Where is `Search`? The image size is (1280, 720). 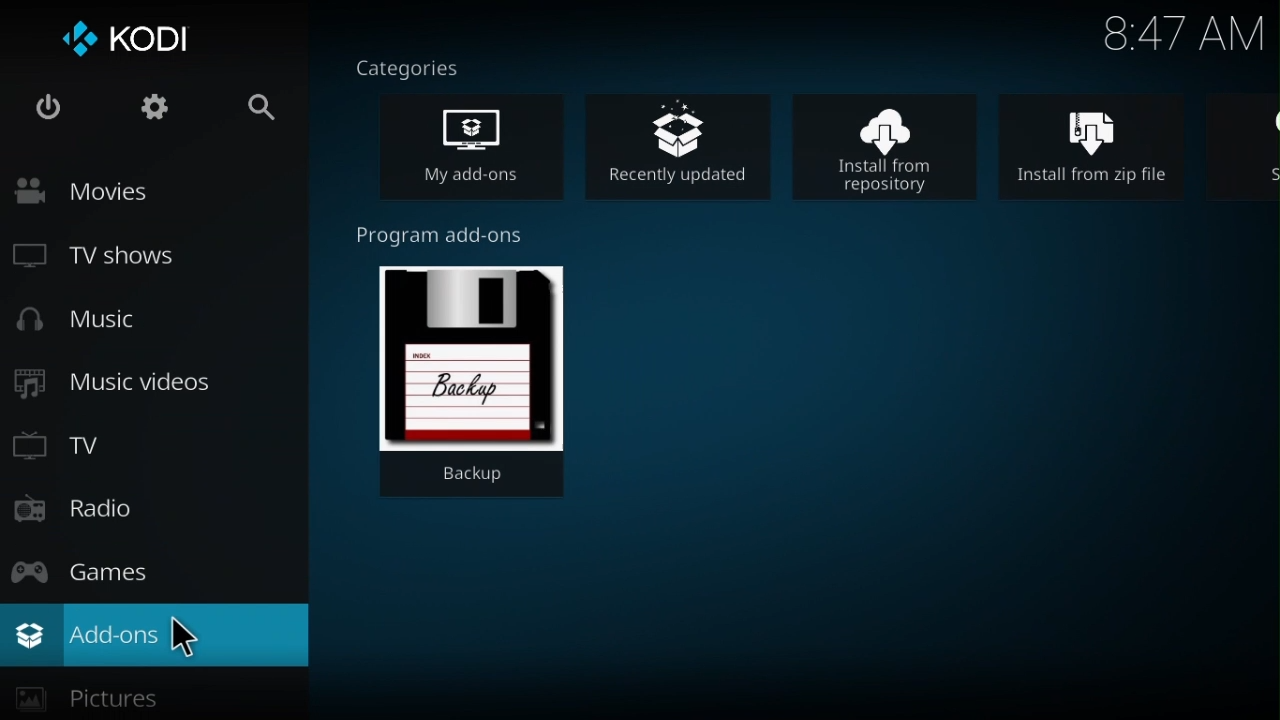
Search is located at coordinates (246, 110).